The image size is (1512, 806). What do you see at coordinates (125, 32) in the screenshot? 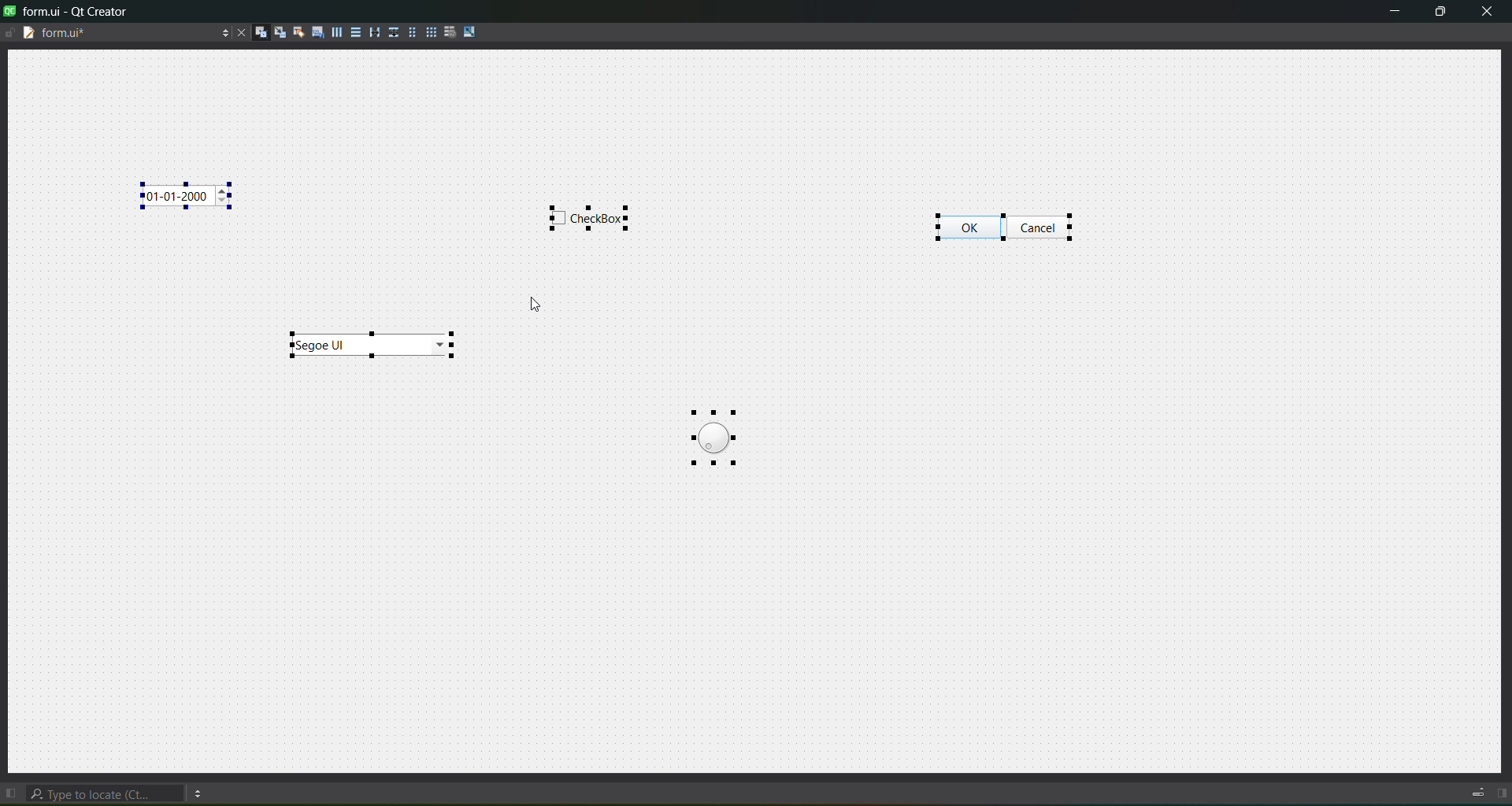
I see `Current File name` at bounding box center [125, 32].